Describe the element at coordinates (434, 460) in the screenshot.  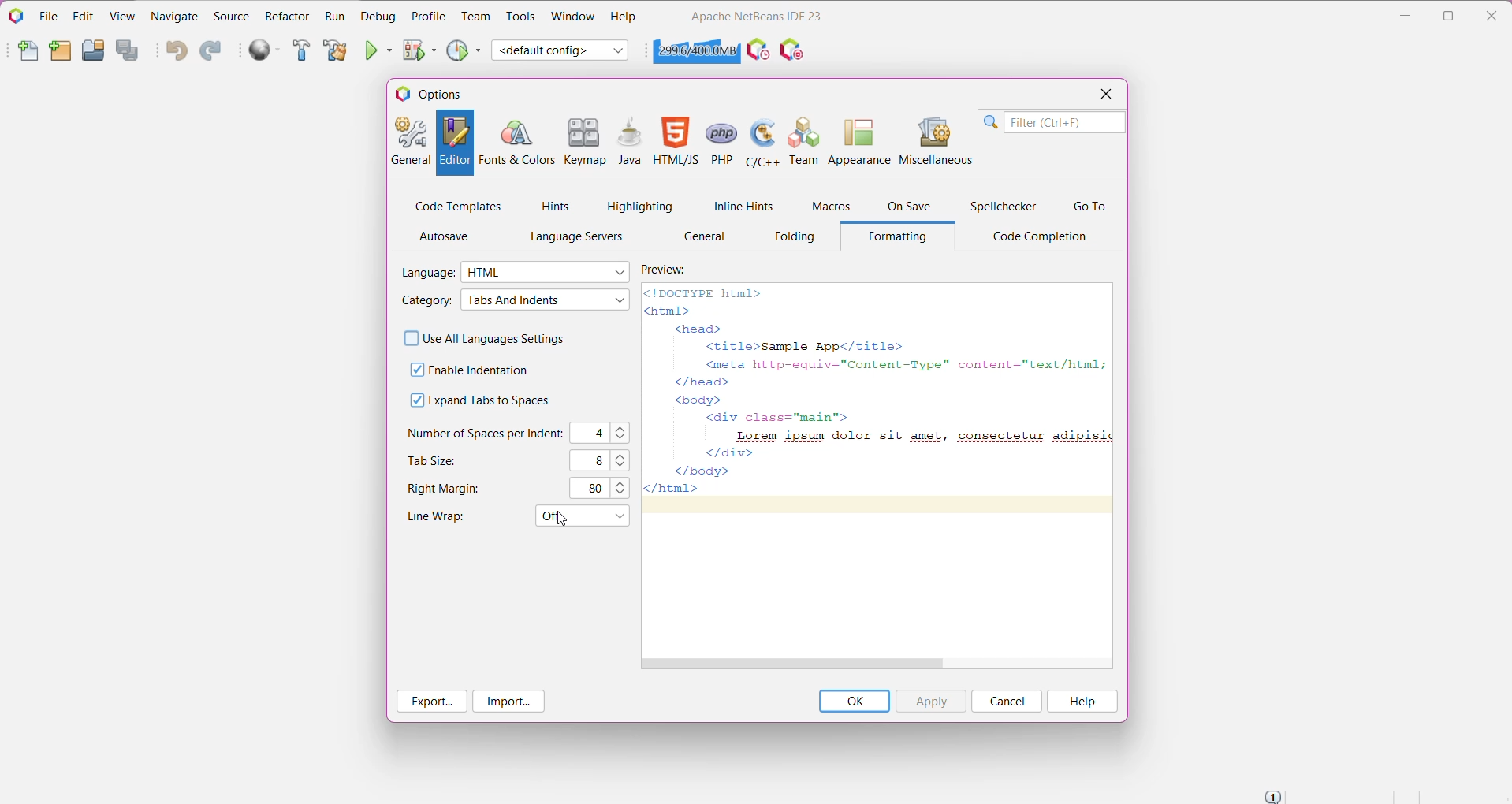
I see `Tab Size` at that location.